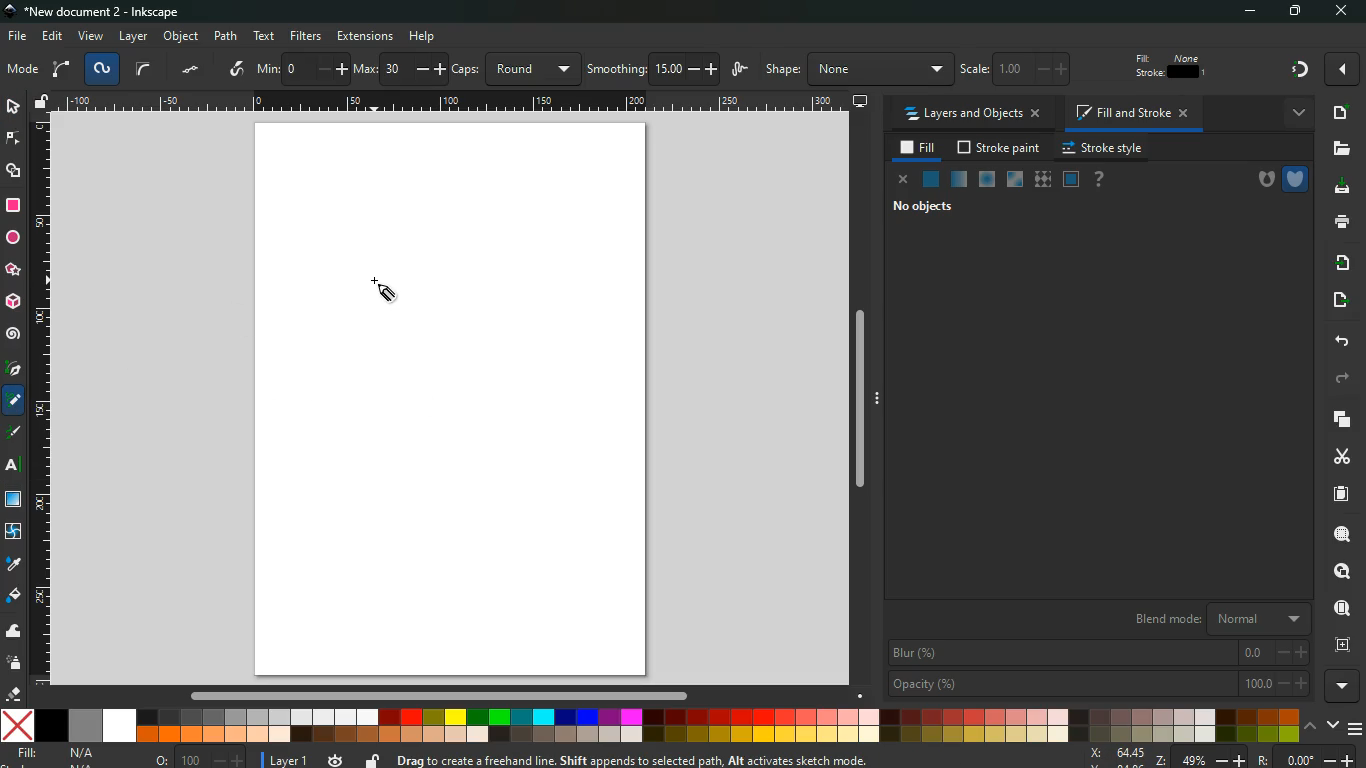 This screenshot has height=768, width=1366. Describe the element at coordinates (1339, 532) in the screenshot. I see `search` at that location.